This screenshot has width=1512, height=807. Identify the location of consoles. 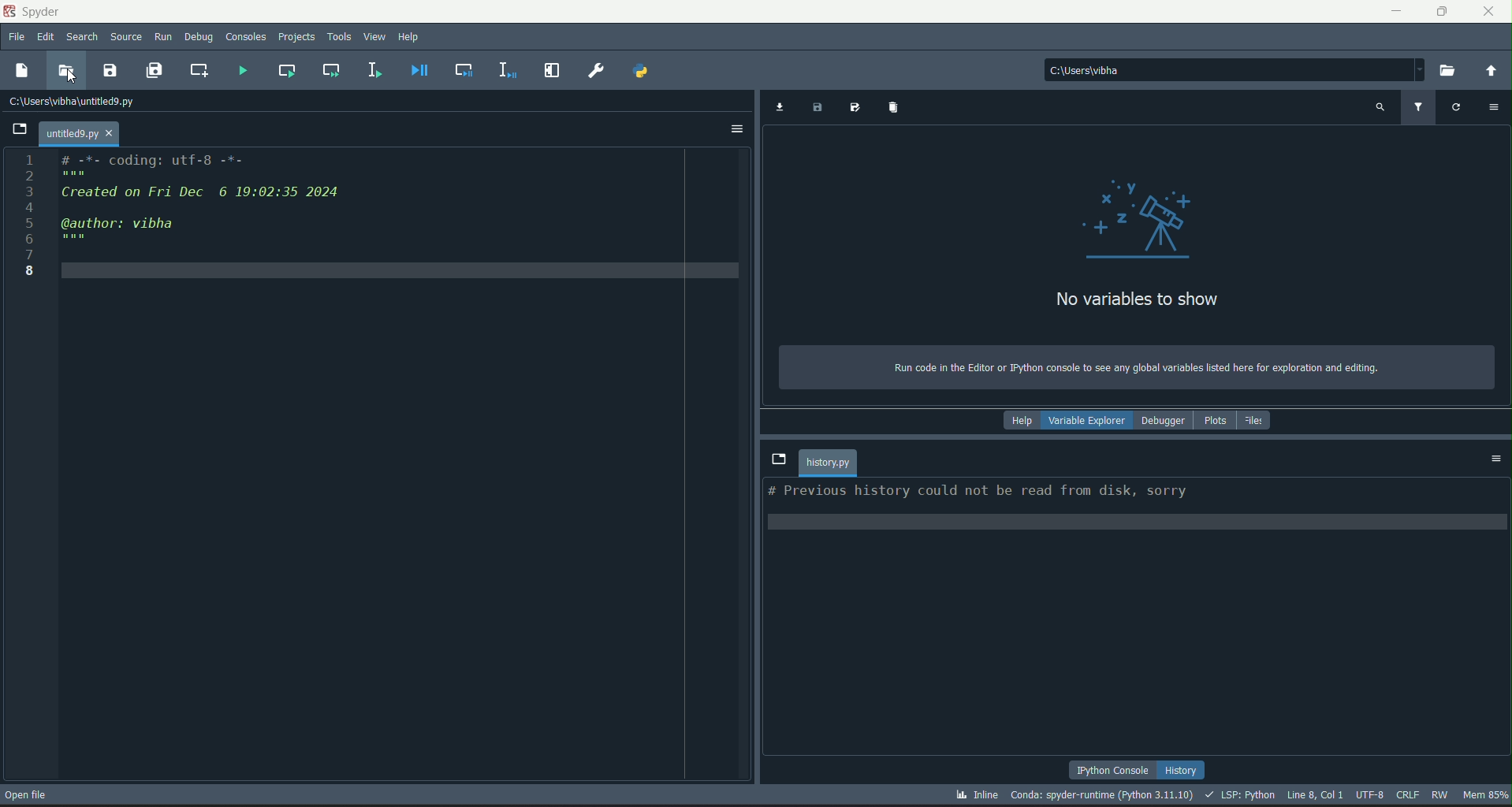
(245, 38).